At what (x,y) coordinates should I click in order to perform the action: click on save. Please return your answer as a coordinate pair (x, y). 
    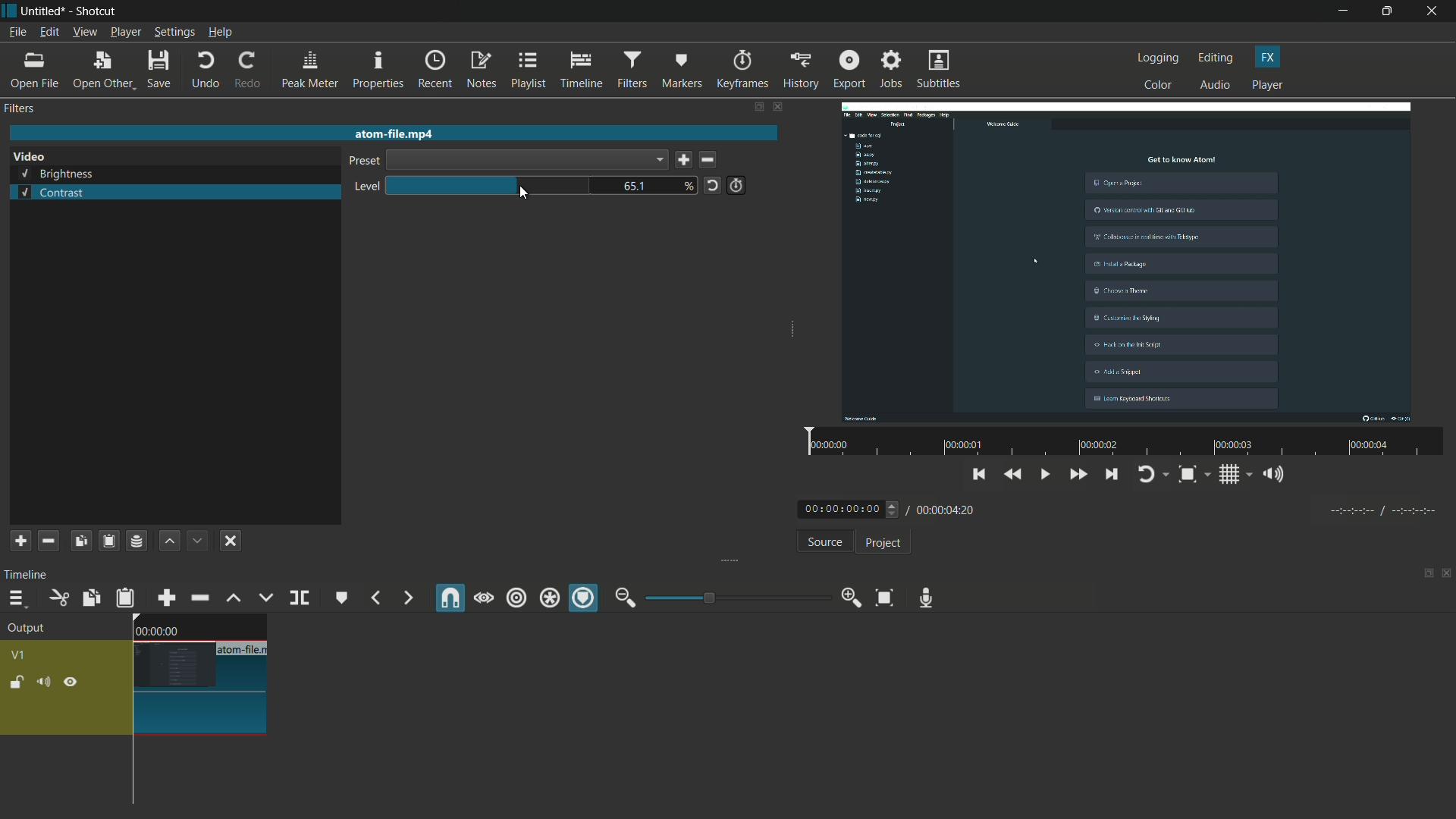
    Looking at the image, I should click on (683, 161).